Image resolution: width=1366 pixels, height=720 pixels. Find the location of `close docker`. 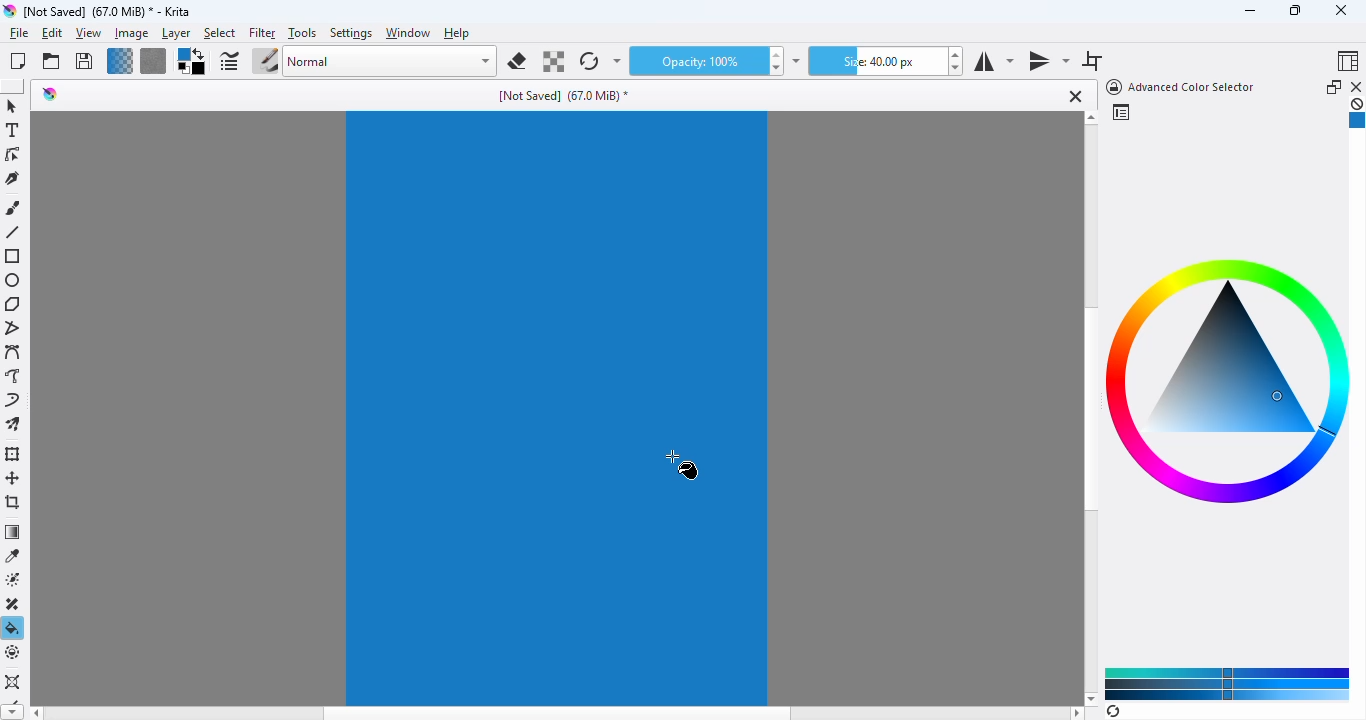

close docker is located at coordinates (1357, 86).